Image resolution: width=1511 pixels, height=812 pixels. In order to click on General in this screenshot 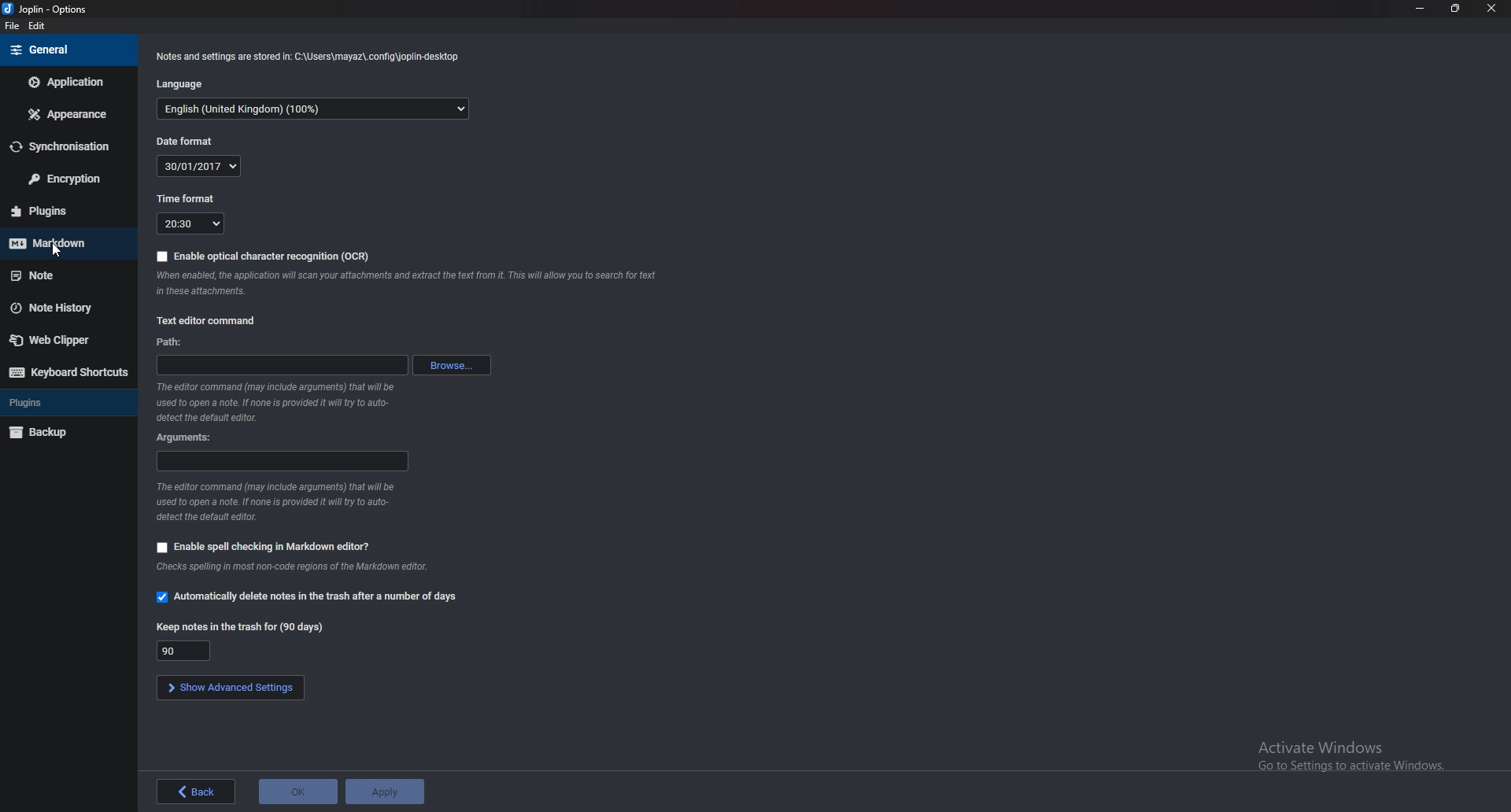, I will do `click(68, 50)`.